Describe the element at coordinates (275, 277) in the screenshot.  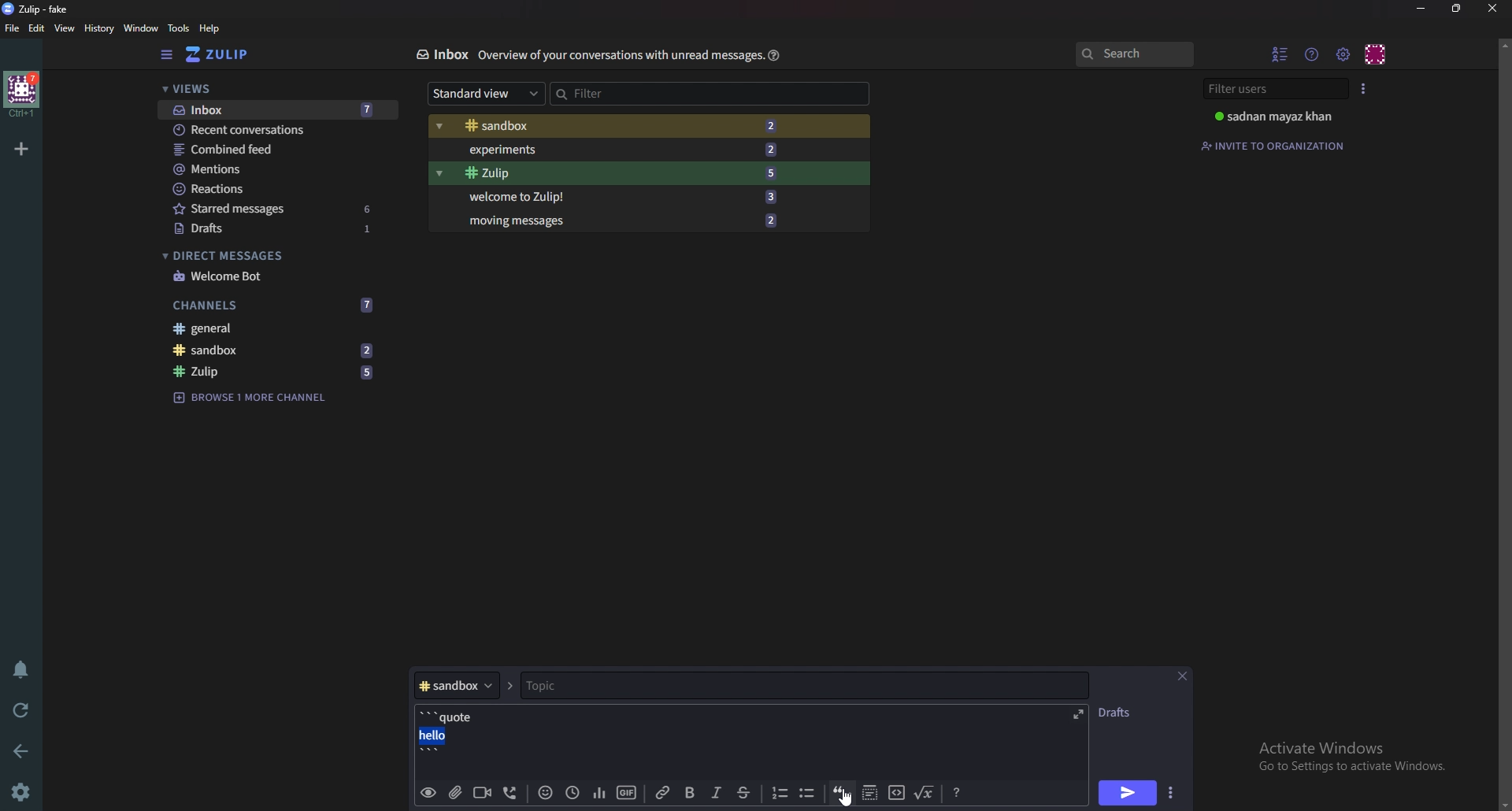
I see `Welcome bot` at that location.